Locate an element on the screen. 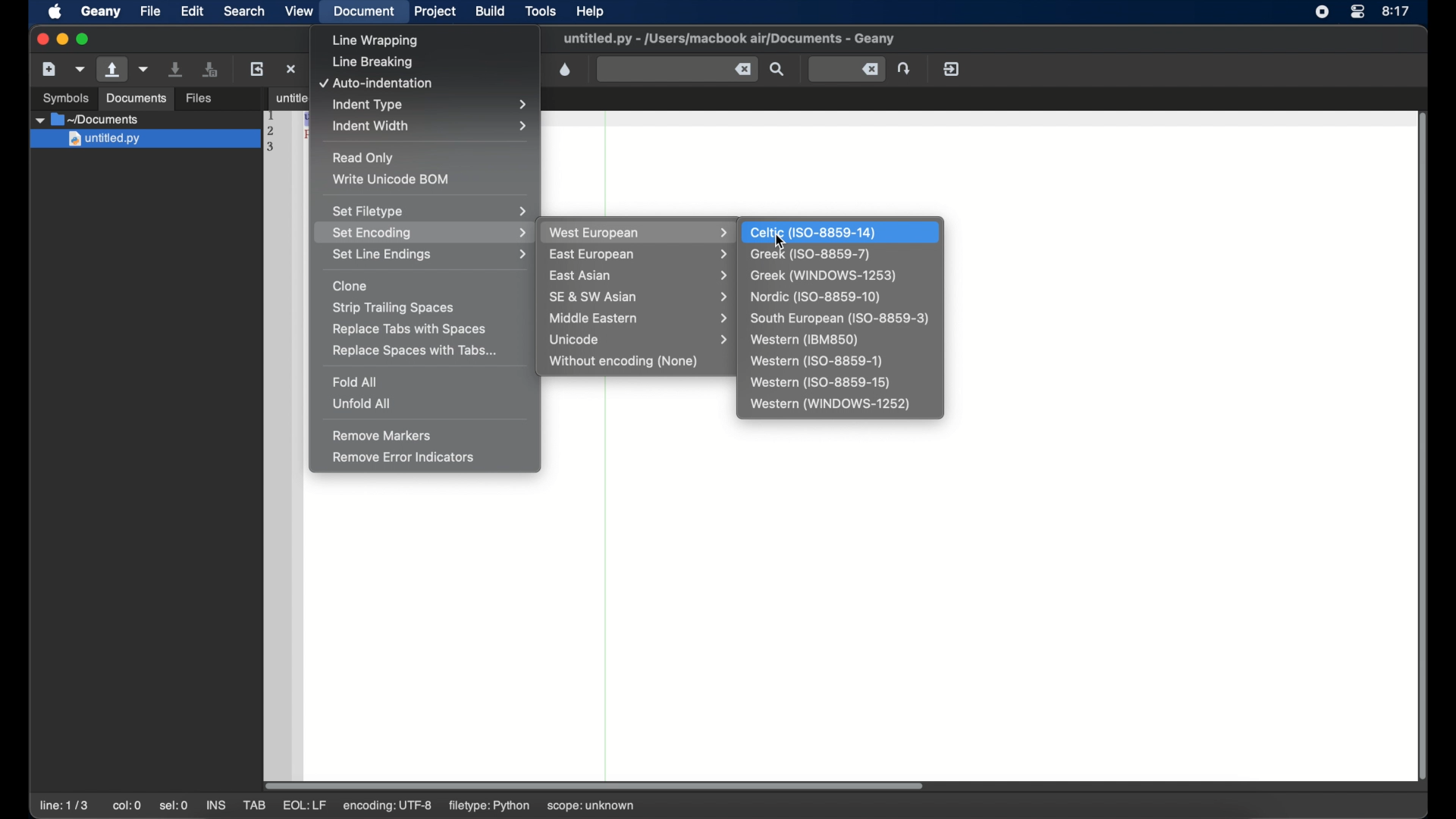 This screenshot has width=1456, height=819. close the current file is located at coordinates (291, 68).